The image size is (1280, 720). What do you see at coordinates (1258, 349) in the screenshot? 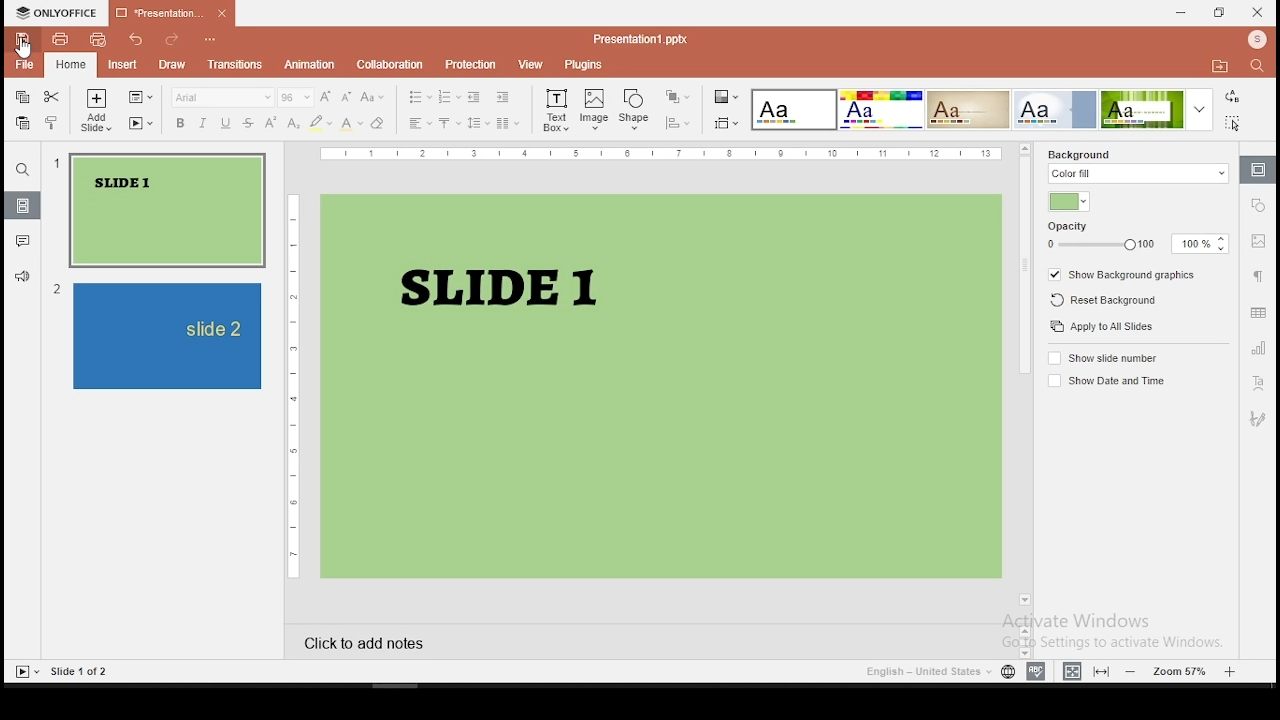
I see `chart settings` at bounding box center [1258, 349].